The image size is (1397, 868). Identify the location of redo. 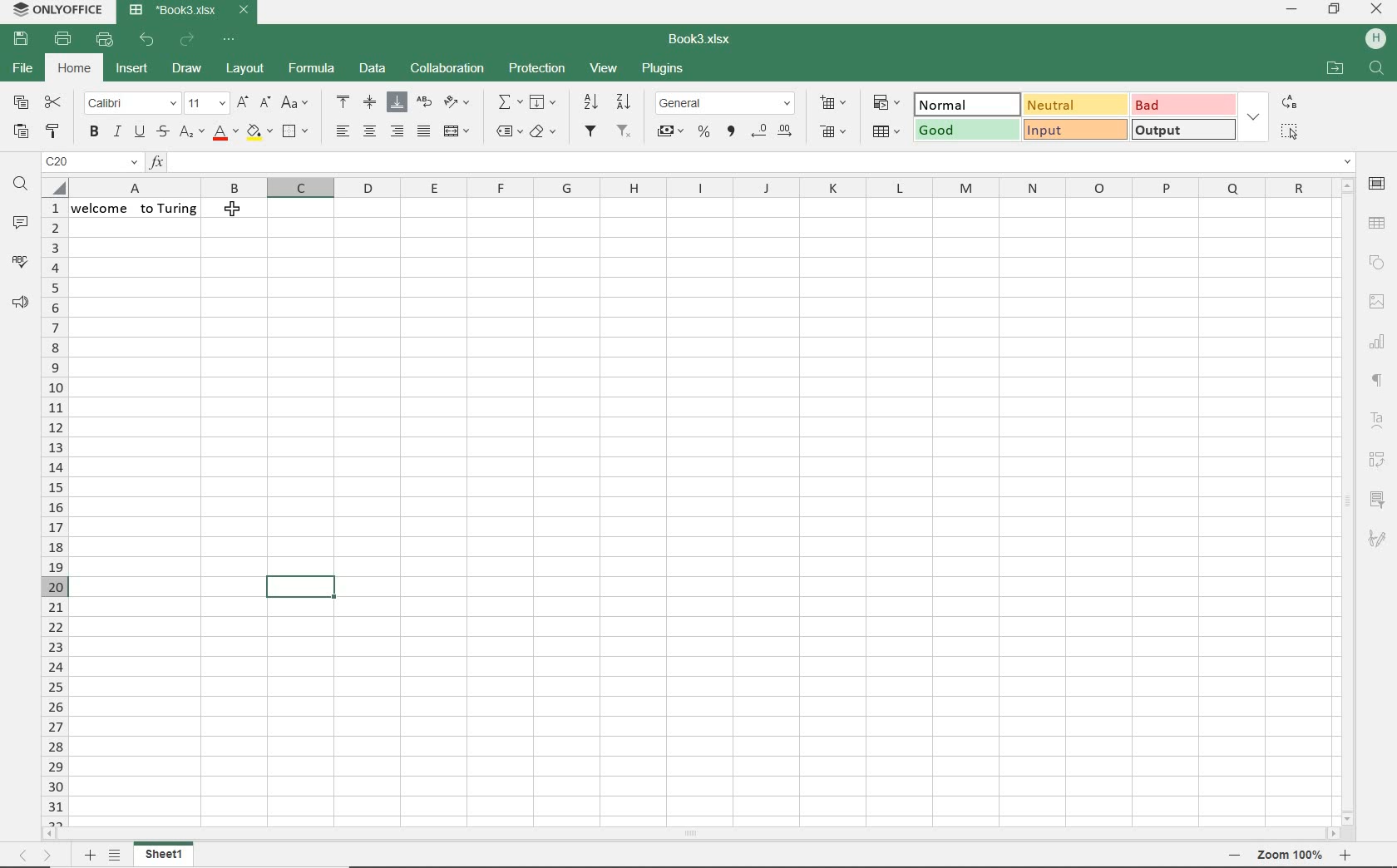
(186, 40).